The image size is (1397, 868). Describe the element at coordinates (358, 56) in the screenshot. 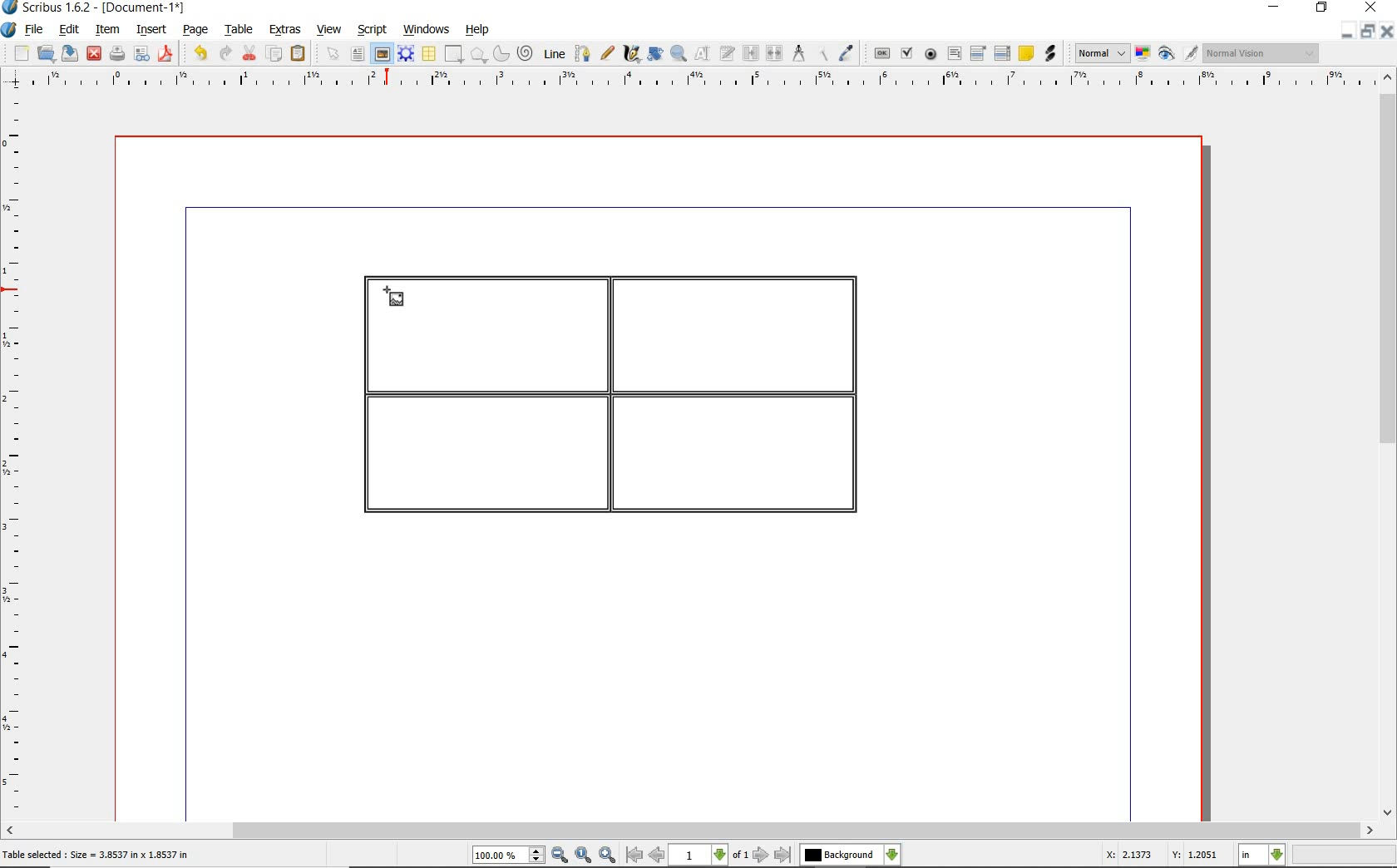

I see `text frame` at that location.